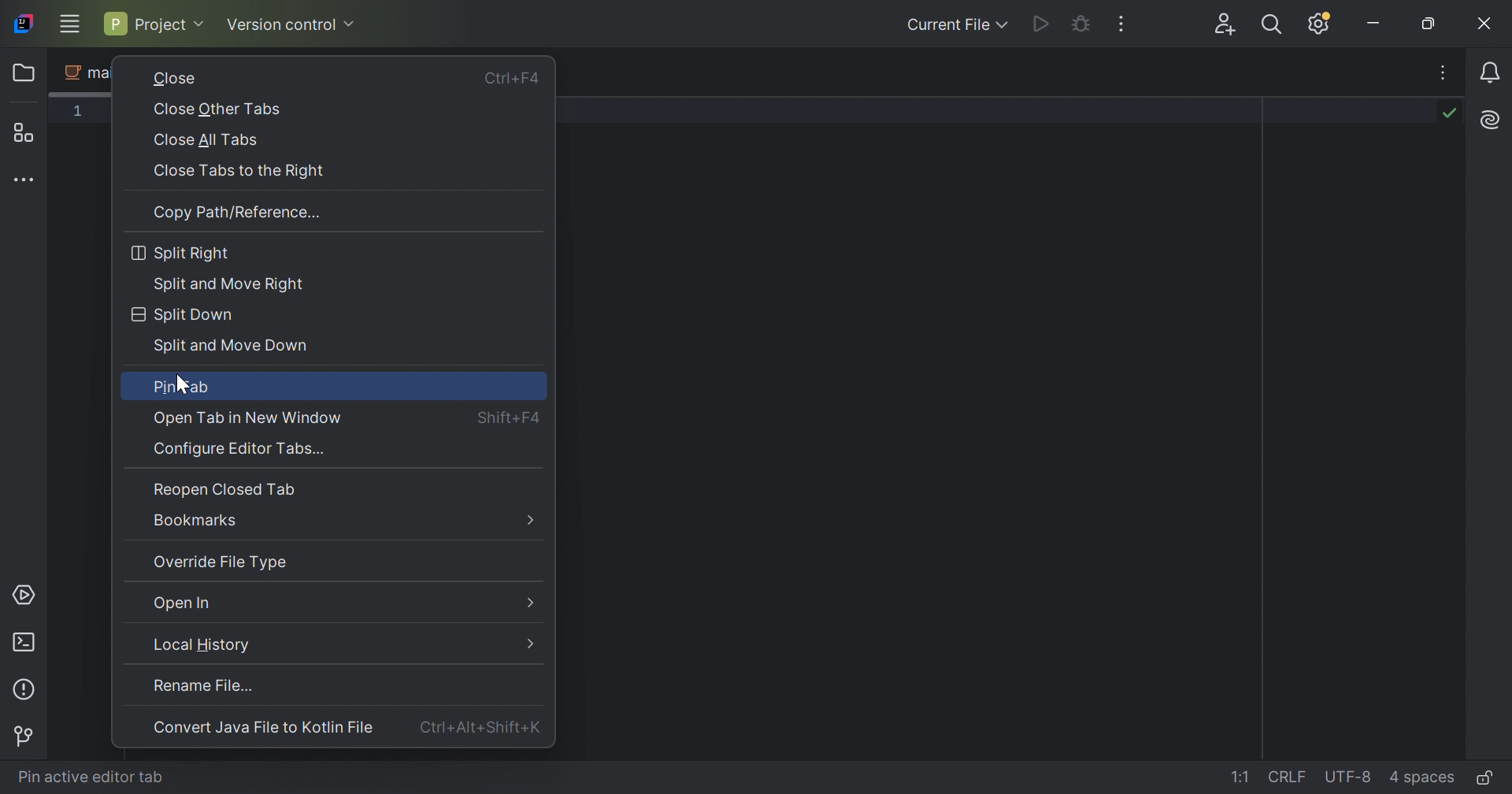 This screenshot has width=1512, height=794. I want to click on Search everywhere, so click(1276, 27).